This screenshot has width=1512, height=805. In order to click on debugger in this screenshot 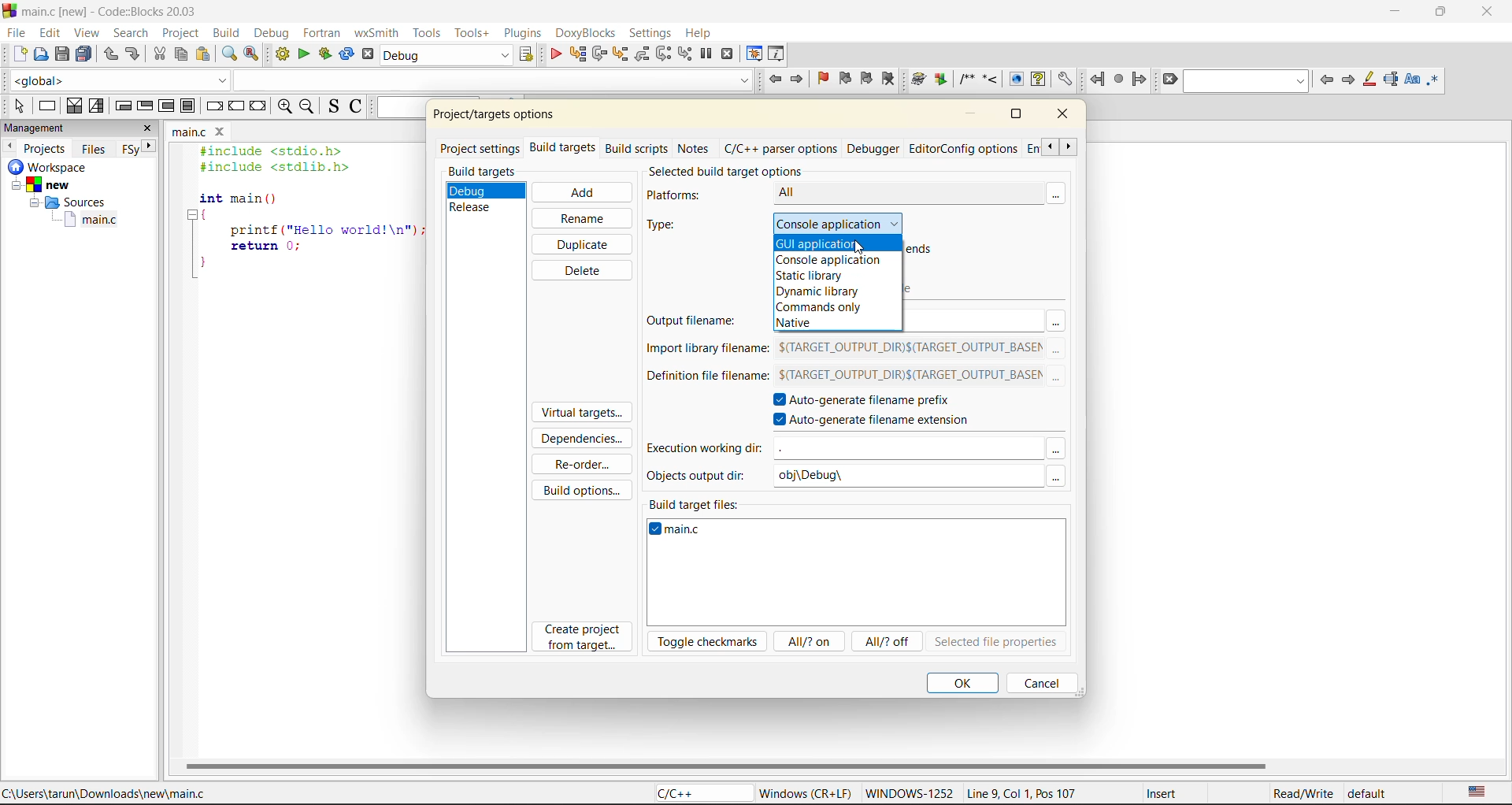, I will do `click(876, 150)`.